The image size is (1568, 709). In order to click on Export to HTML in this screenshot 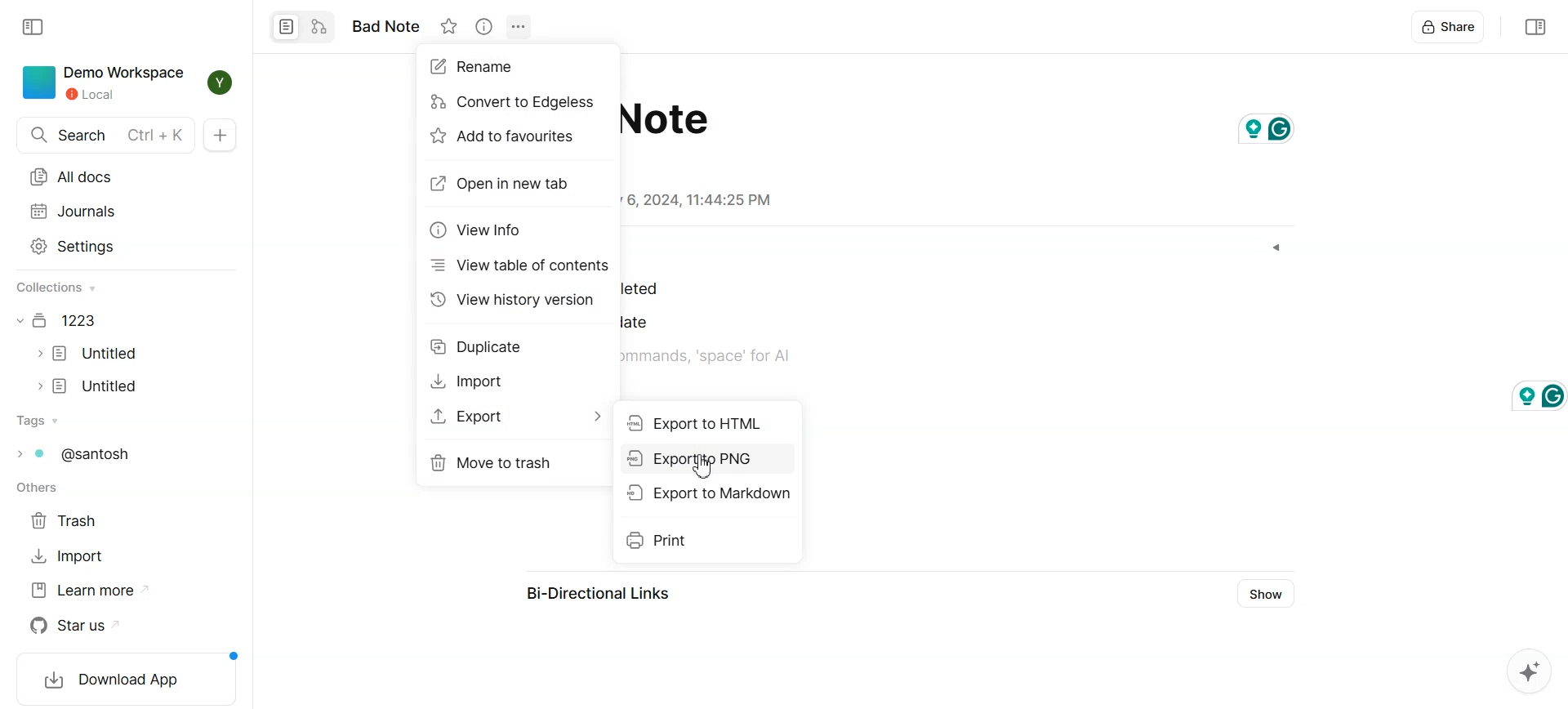, I will do `click(706, 421)`.